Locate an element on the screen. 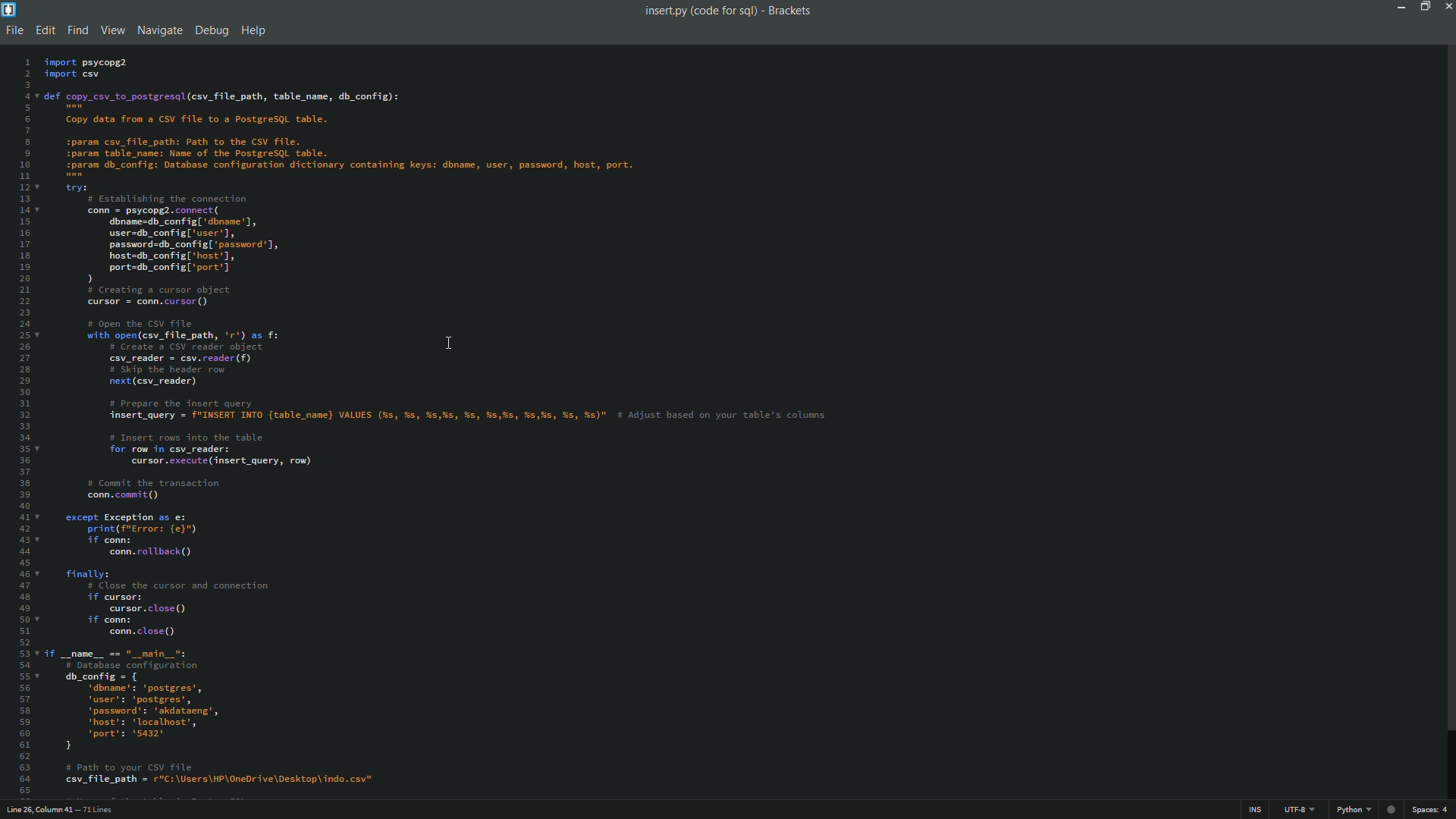 This screenshot has width=1456, height=819. cursor is located at coordinates (453, 344).